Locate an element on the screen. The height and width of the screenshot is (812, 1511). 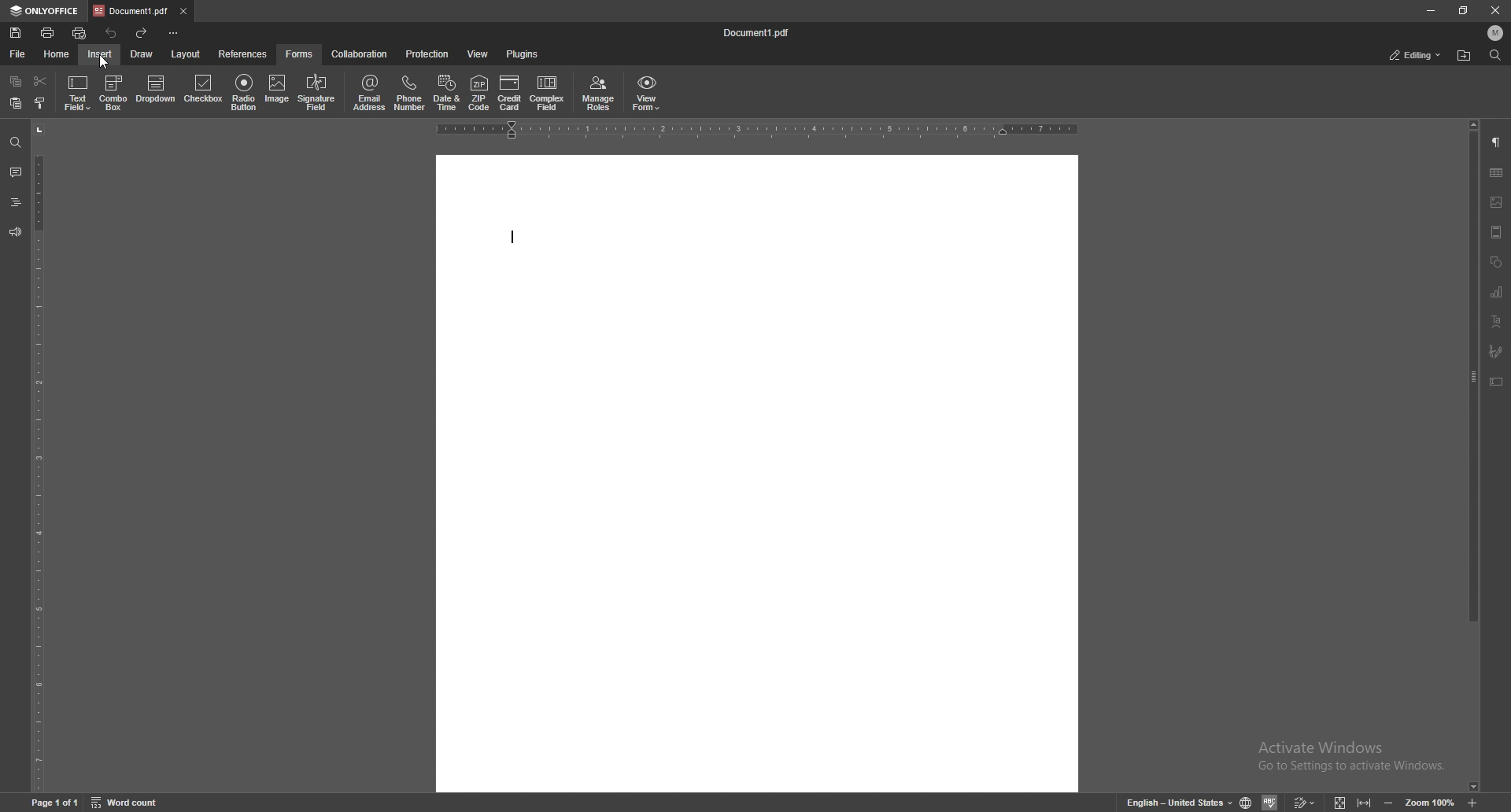
view is located at coordinates (478, 54).